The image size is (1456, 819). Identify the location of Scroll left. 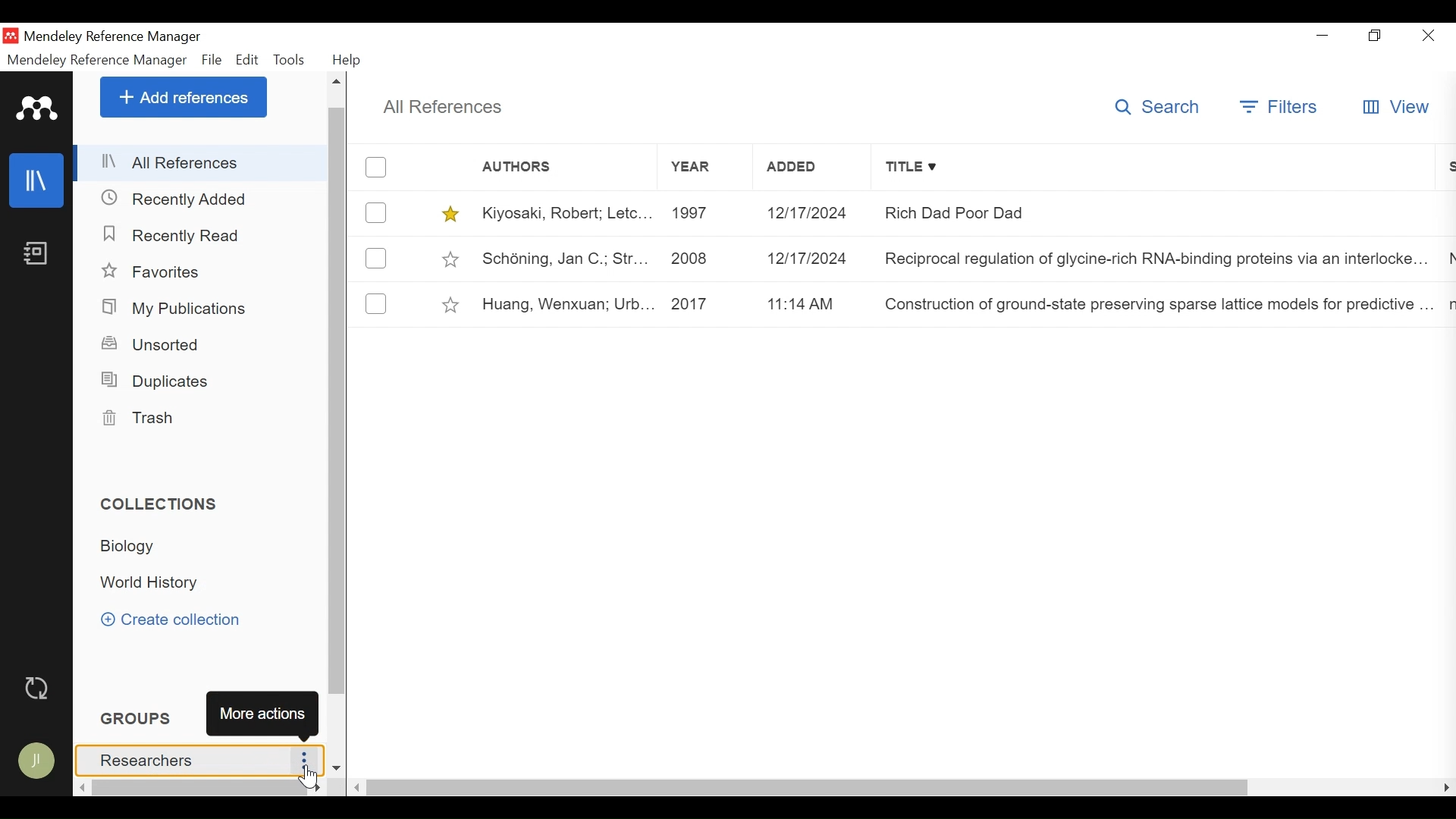
(83, 787).